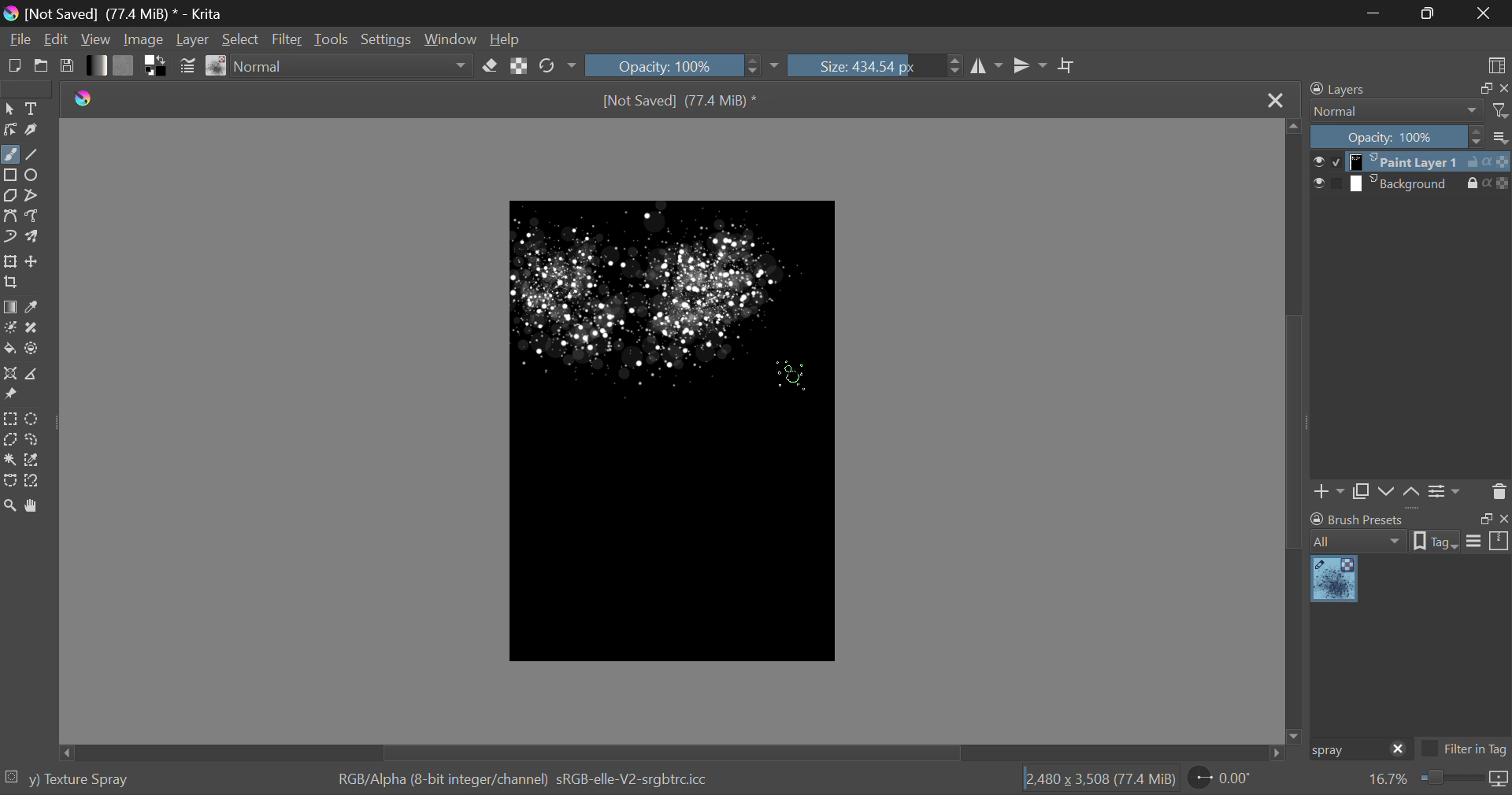 This screenshot has height=795, width=1512. Describe the element at coordinates (1378, 13) in the screenshot. I see `Restore Down` at that location.